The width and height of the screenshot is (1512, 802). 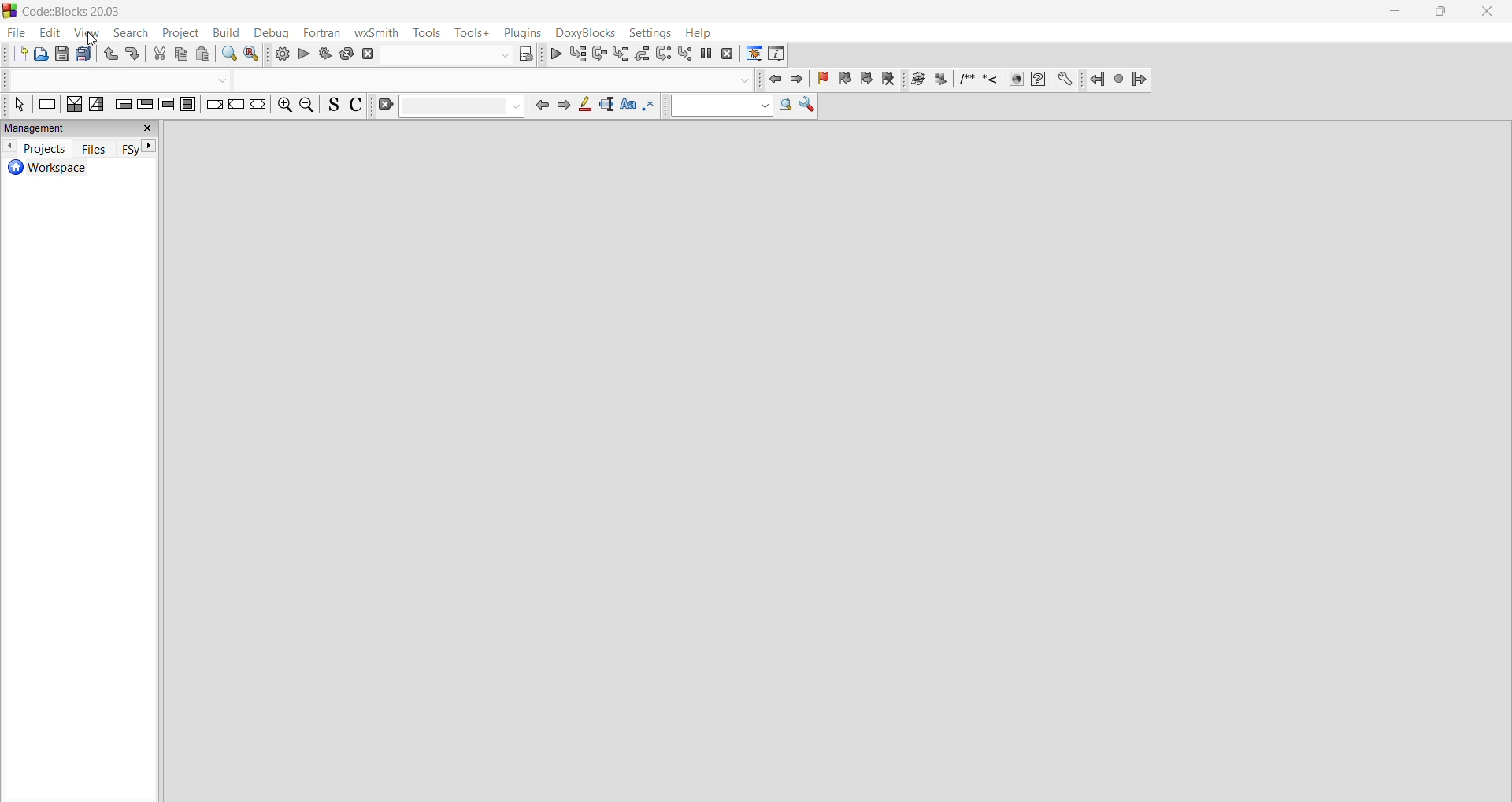 I want to click on jump forward, so click(x=796, y=80).